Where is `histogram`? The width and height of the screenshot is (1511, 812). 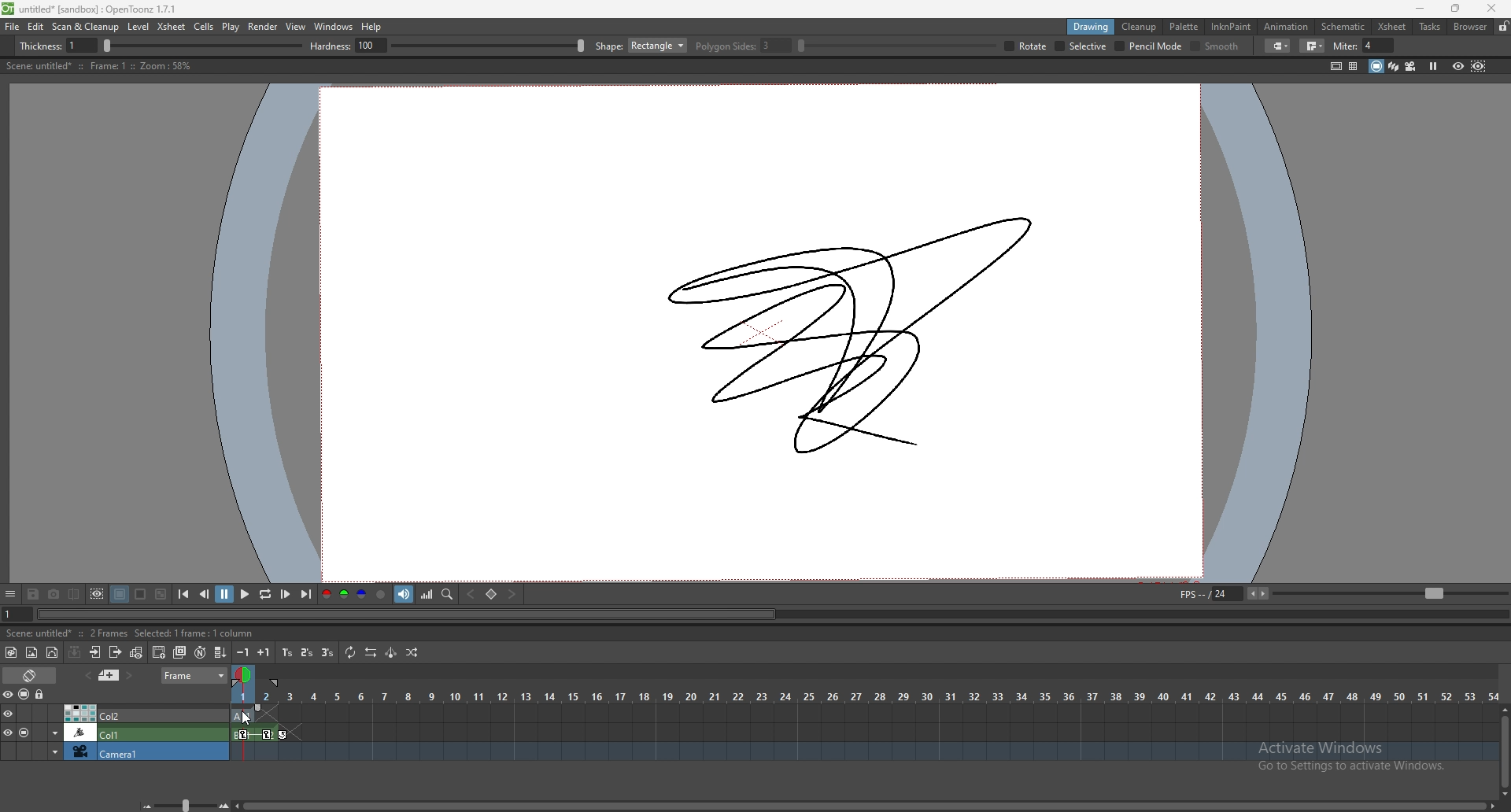
histogram is located at coordinates (427, 594).